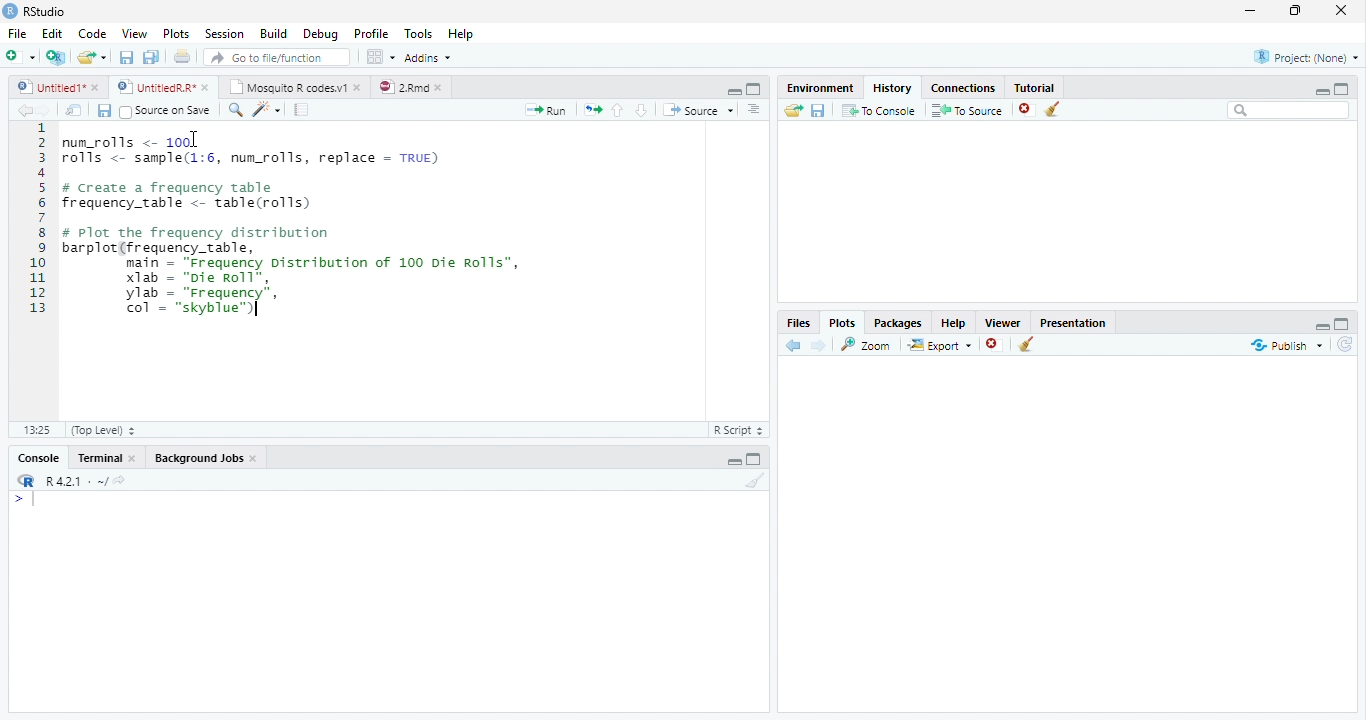  Describe the element at coordinates (1344, 324) in the screenshot. I see `Full Height` at that location.